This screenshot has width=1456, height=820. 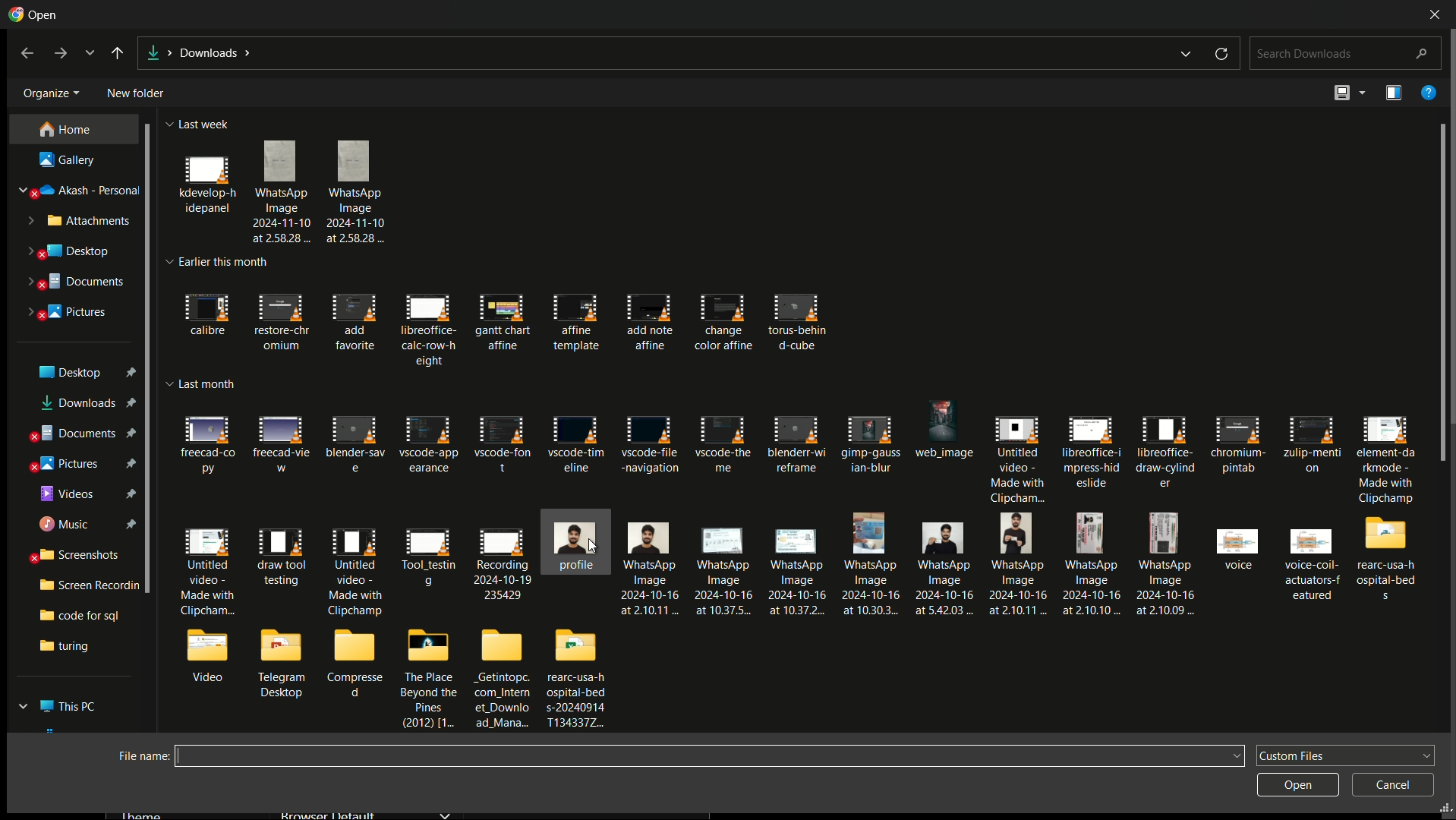 I want to click on location, so click(x=200, y=53).